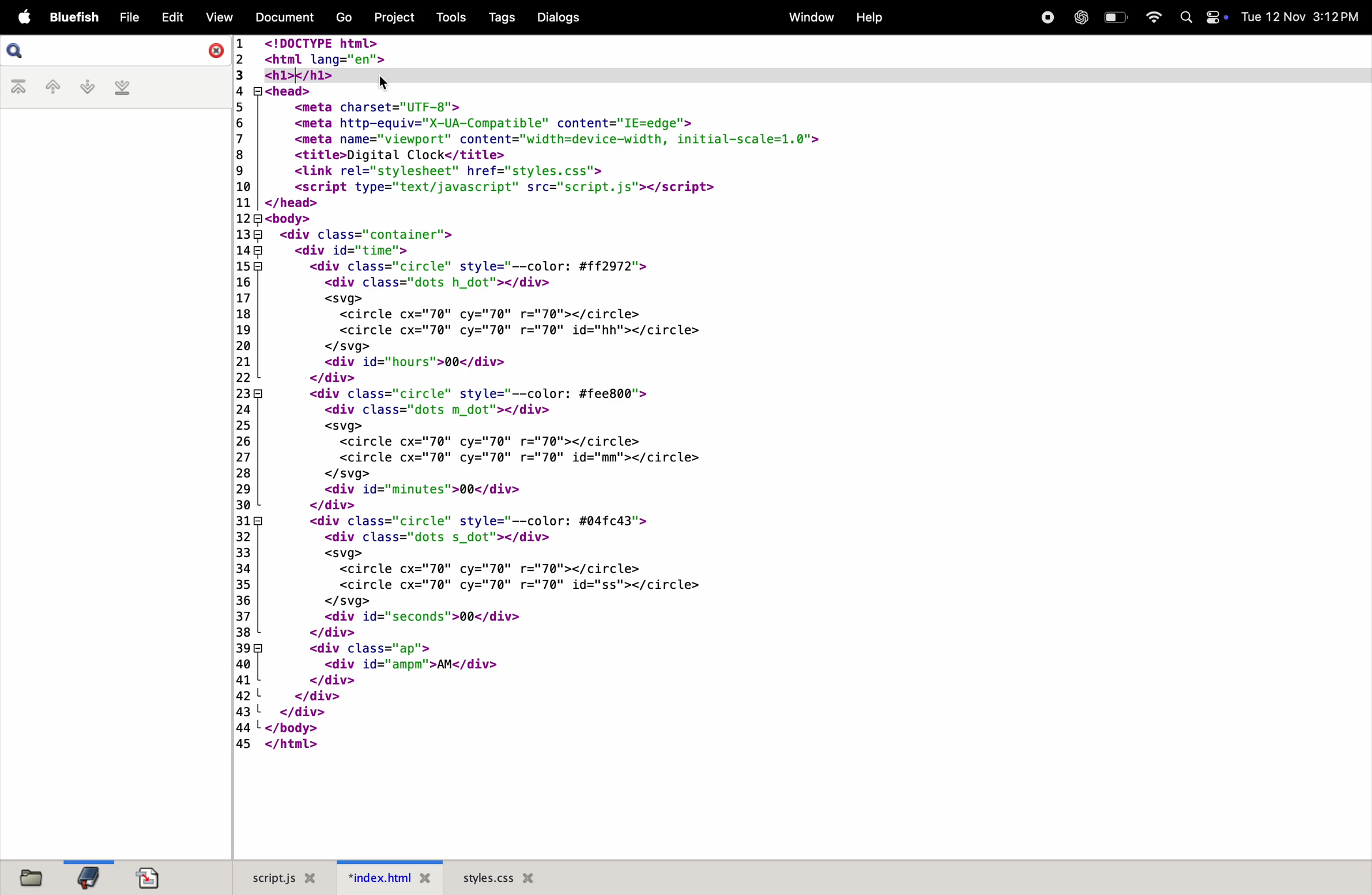 The width and height of the screenshot is (1372, 895). Describe the element at coordinates (88, 877) in the screenshot. I see `bookmark` at that location.